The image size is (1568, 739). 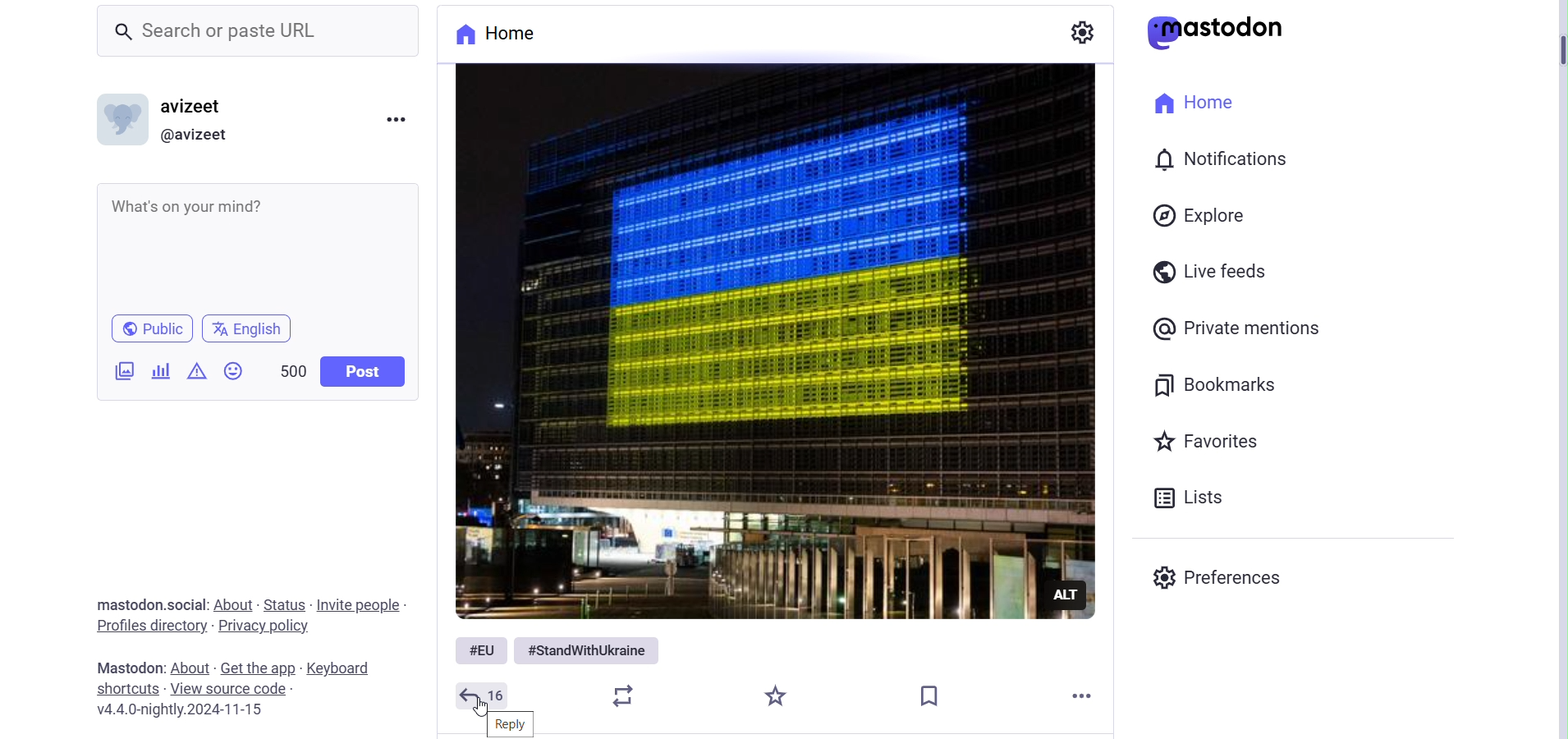 What do you see at coordinates (236, 688) in the screenshot?
I see `View Source Code` at bounding box center [236, 688].